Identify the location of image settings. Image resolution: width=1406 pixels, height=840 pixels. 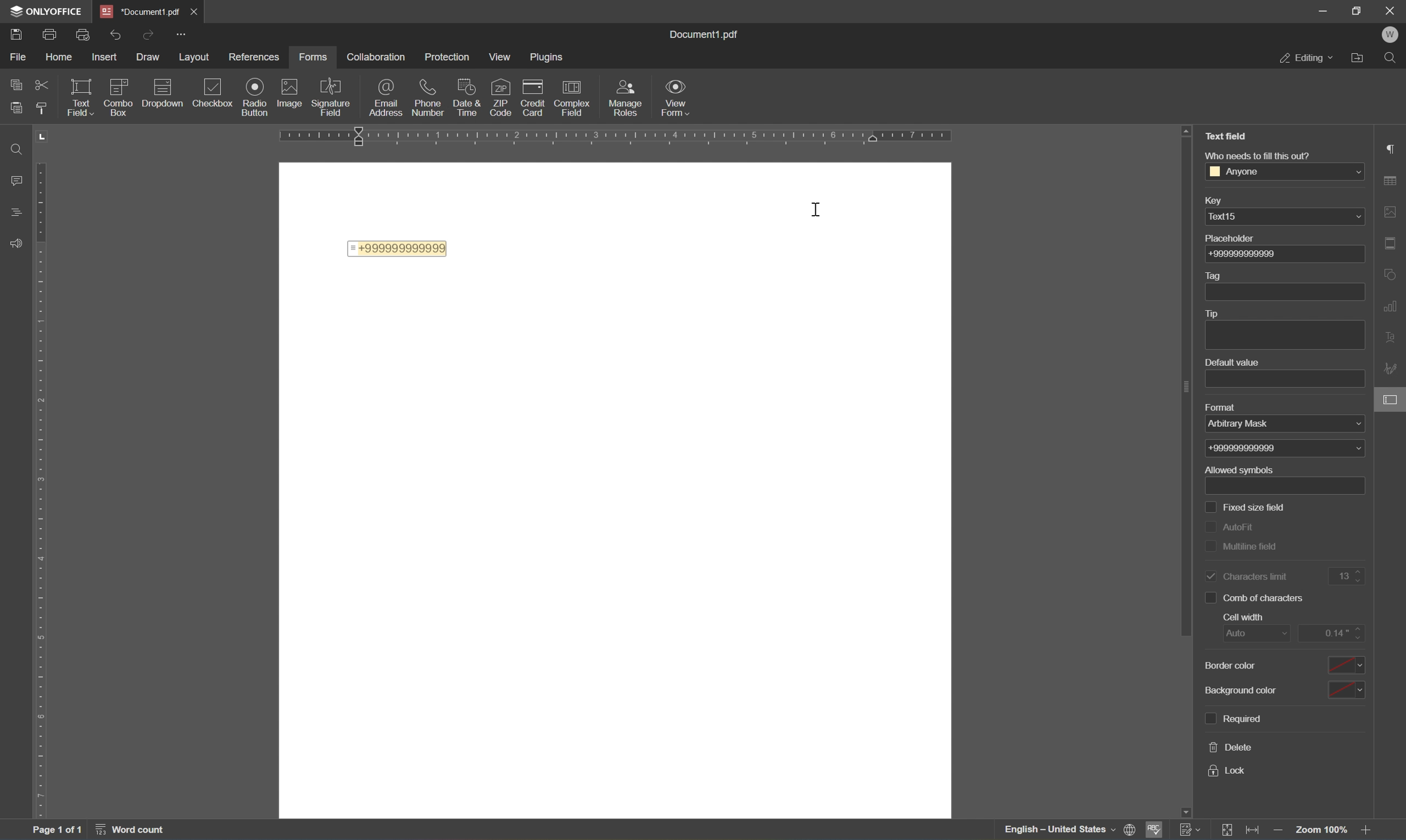
(1390, 209).